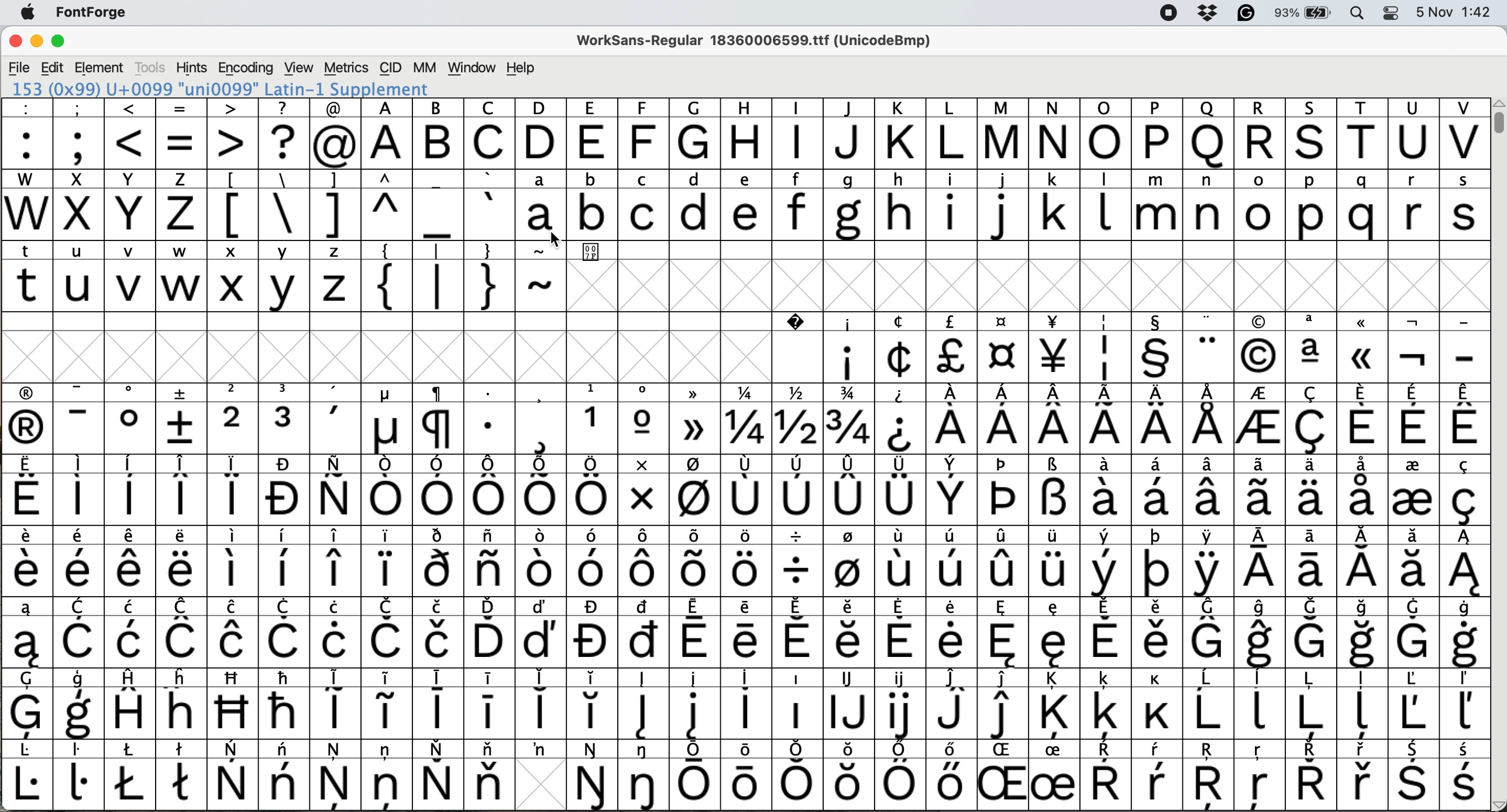 This screenshot has height=812, width=1507. What do you see at coordinates (1057, 632) in the screenshot?
I see `symbol` at bounding box center [1057, 632].